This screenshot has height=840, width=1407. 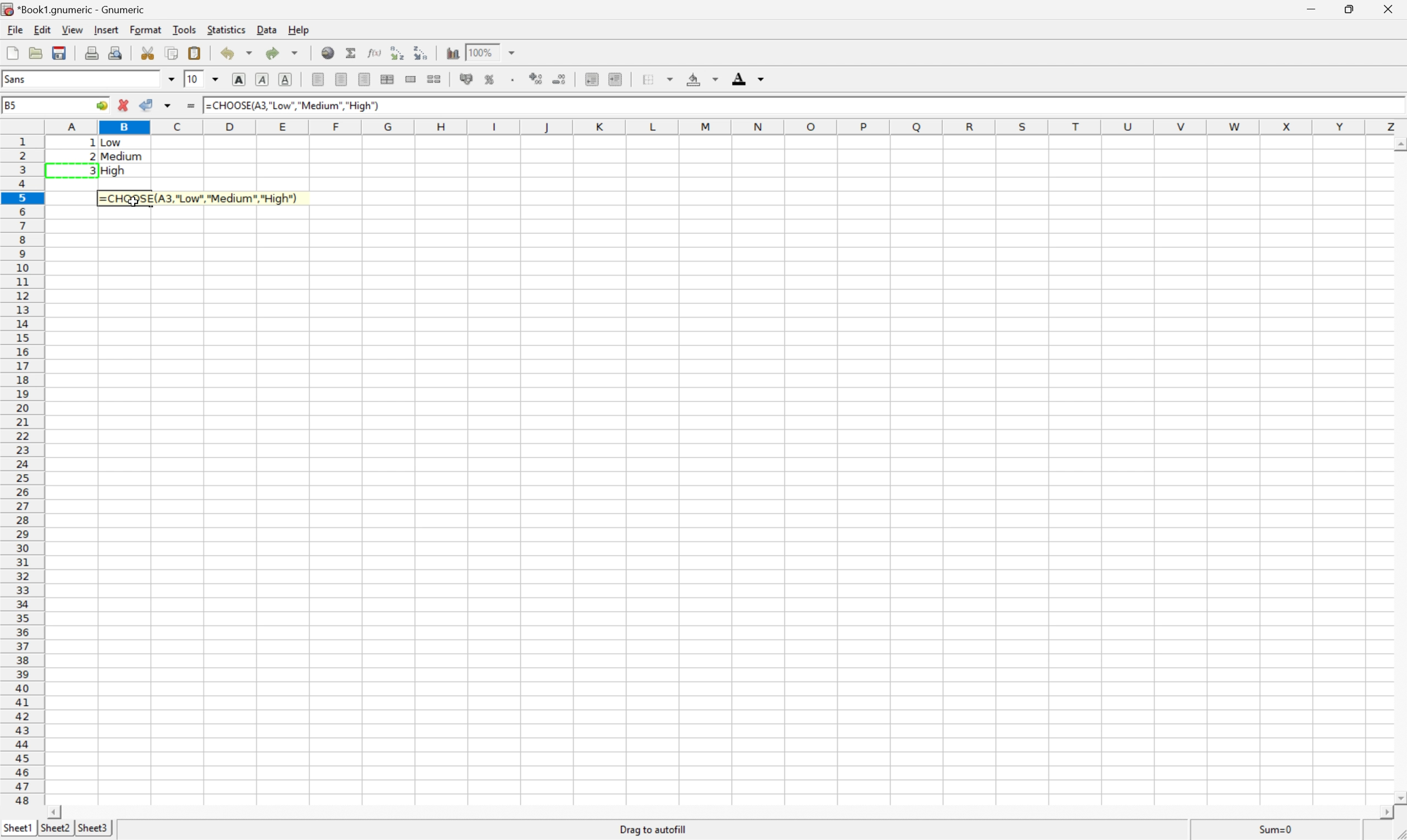 I want to click on Minimize, so click(x=1310, y=8).